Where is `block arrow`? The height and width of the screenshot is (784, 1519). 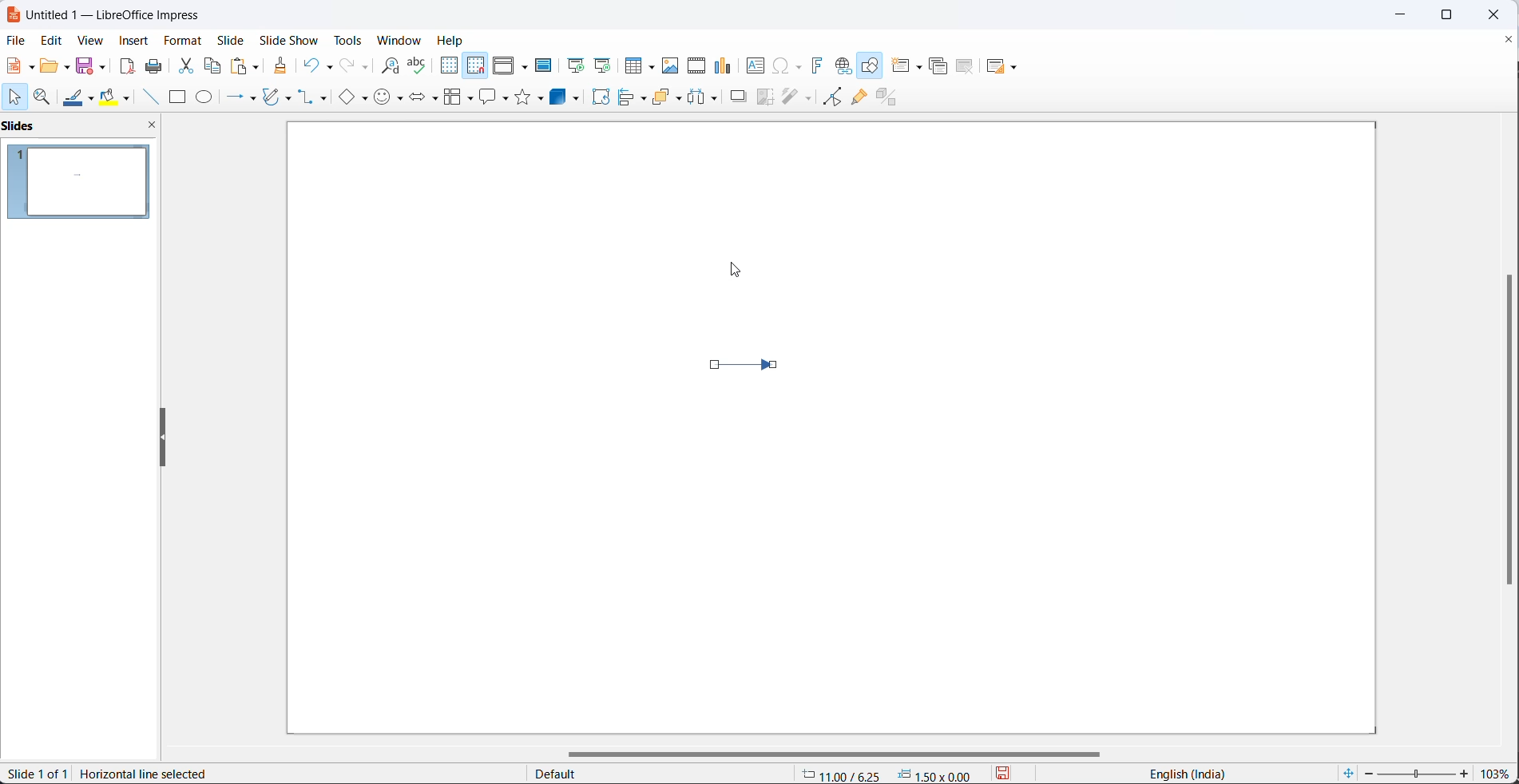
block arrow is located at coordinates (420, 99).